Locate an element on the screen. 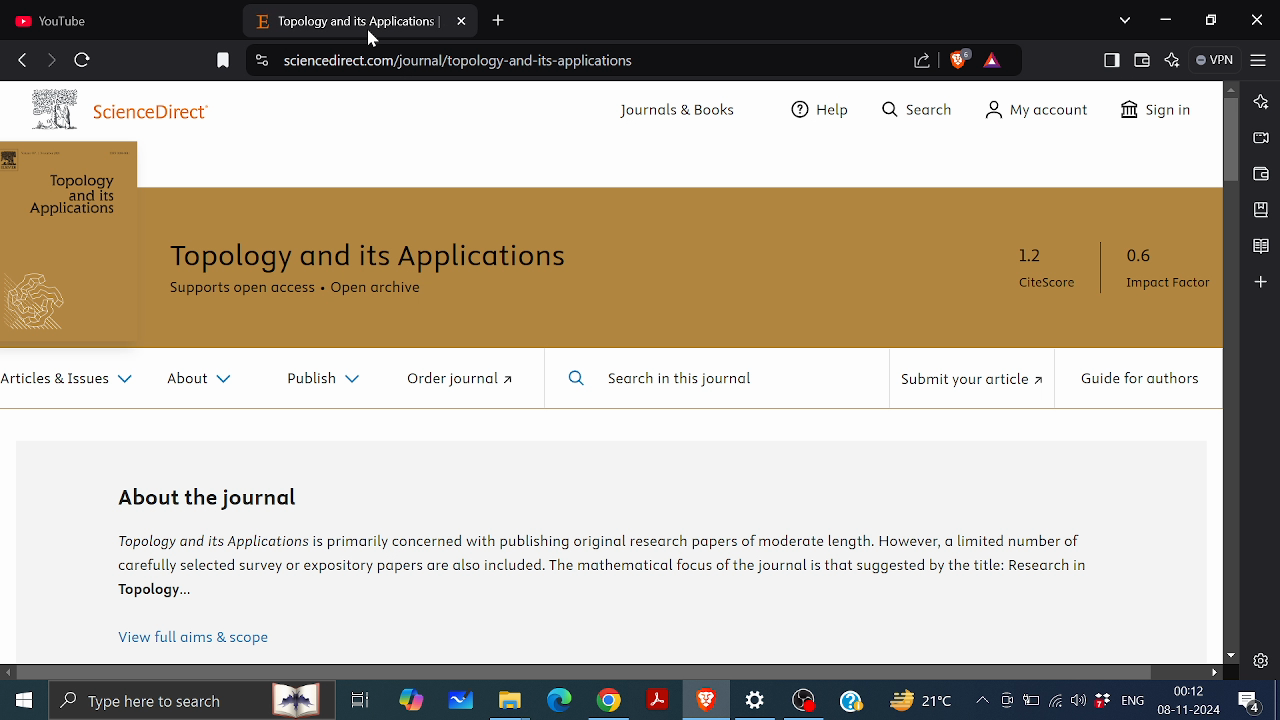 Image resolution: width=1280 pixels, height=720 pixels. Dropbox is located at coordinates (1101, 700).